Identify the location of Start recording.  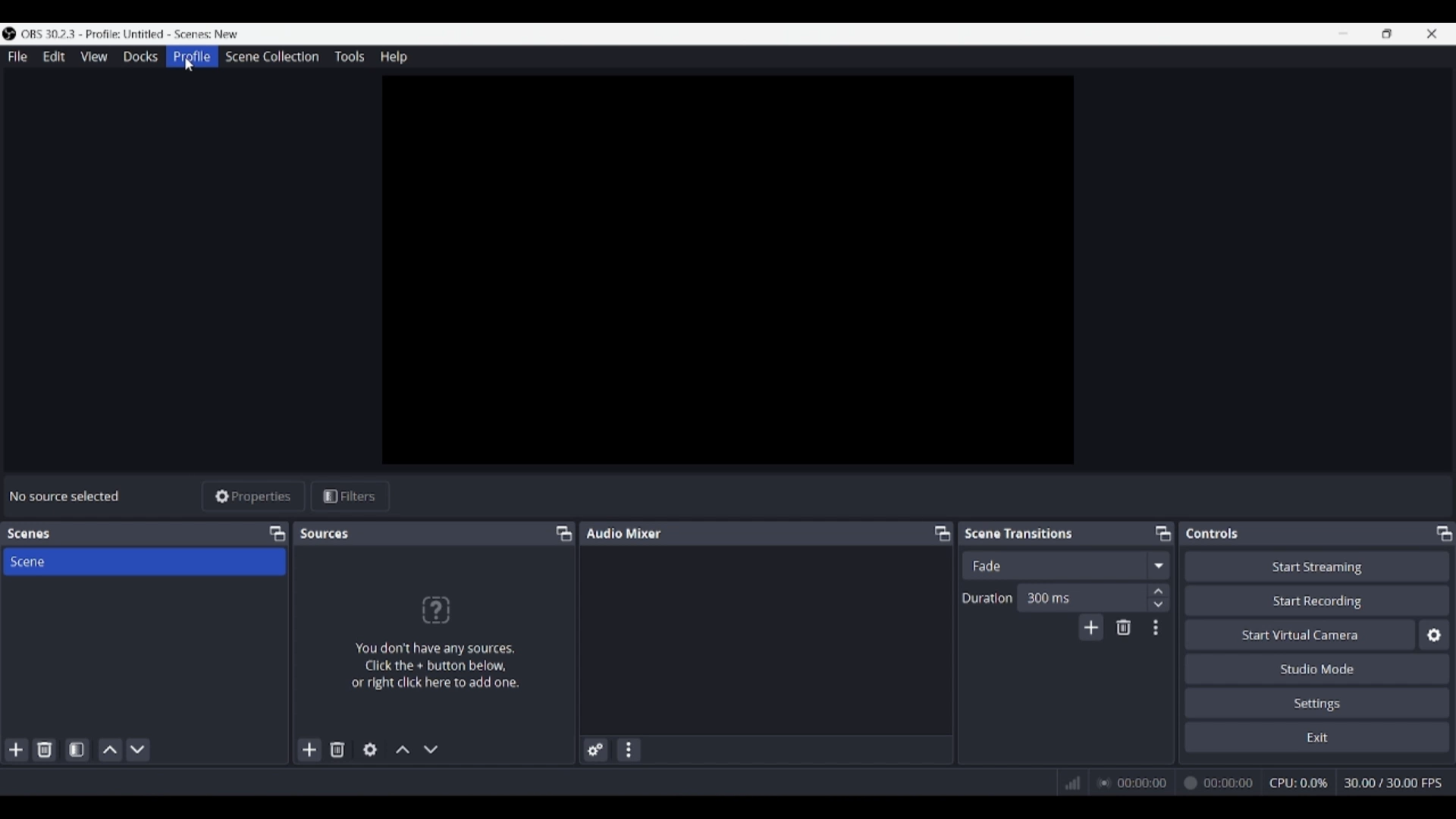
(1318, 600).